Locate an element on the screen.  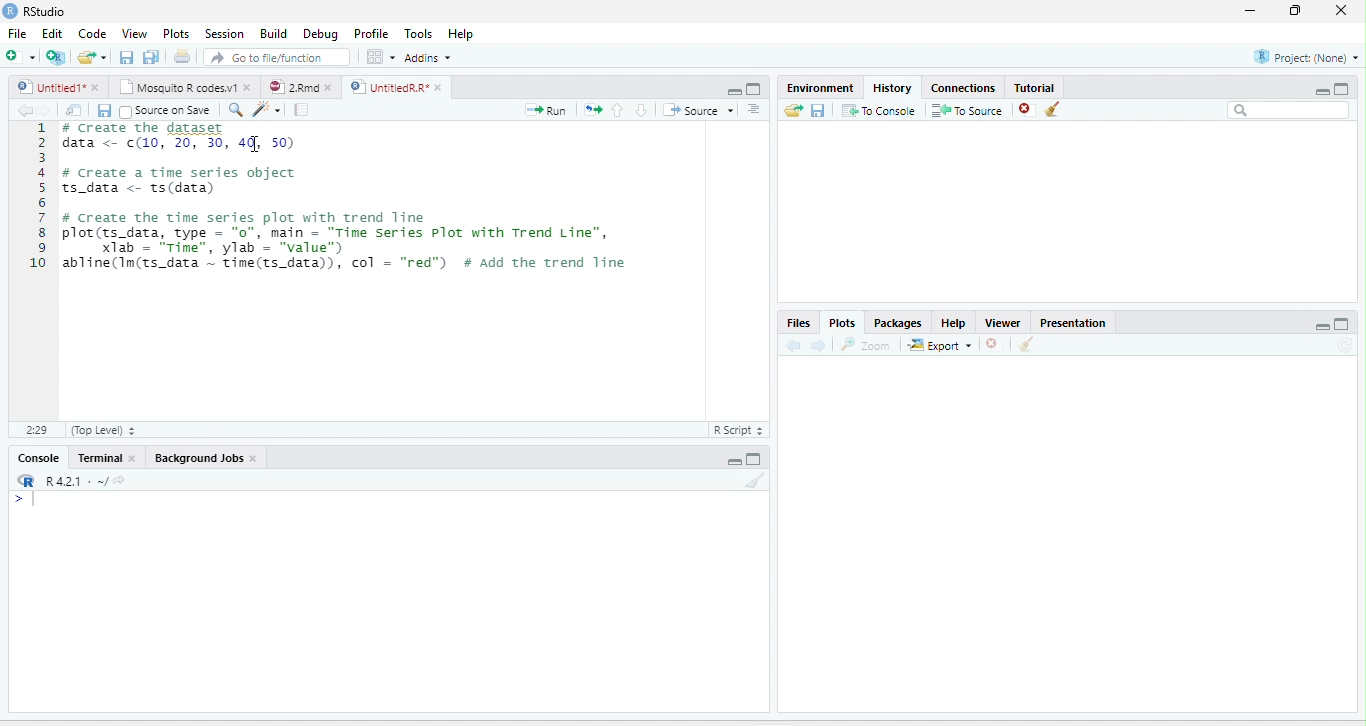
R Script is located at coordinates (739, 430).